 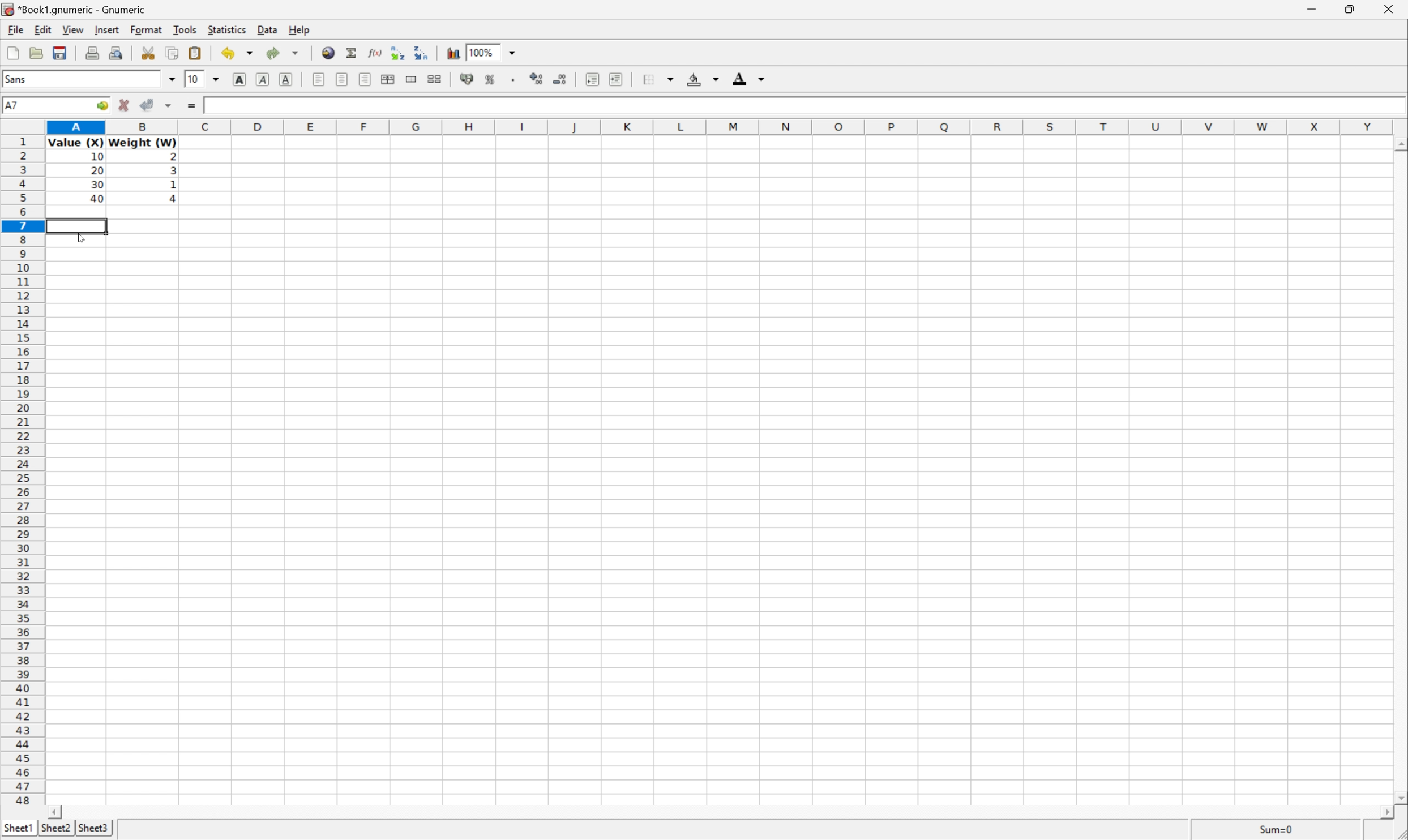 I want to click on Statistics, so click(x=227, y=30).